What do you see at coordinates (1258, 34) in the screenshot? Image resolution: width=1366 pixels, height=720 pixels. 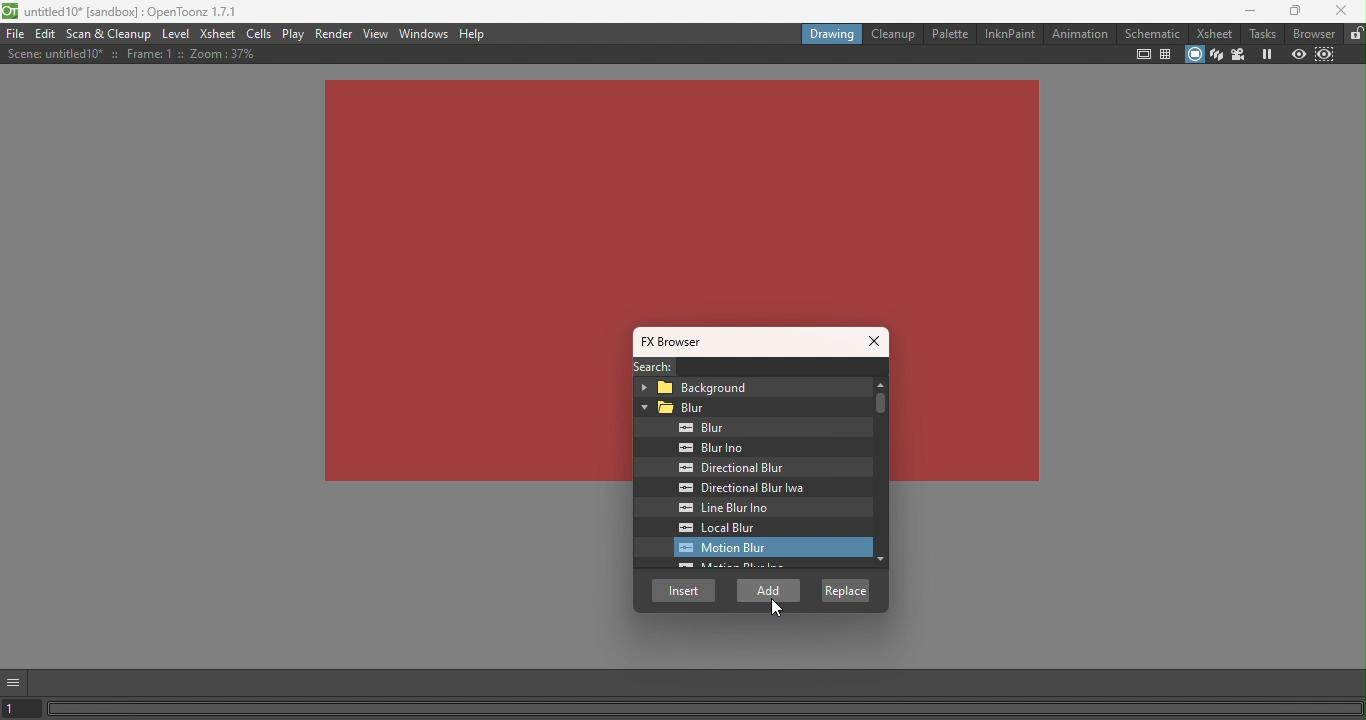 I see `Tasks` at bounding box center [1258, 34].